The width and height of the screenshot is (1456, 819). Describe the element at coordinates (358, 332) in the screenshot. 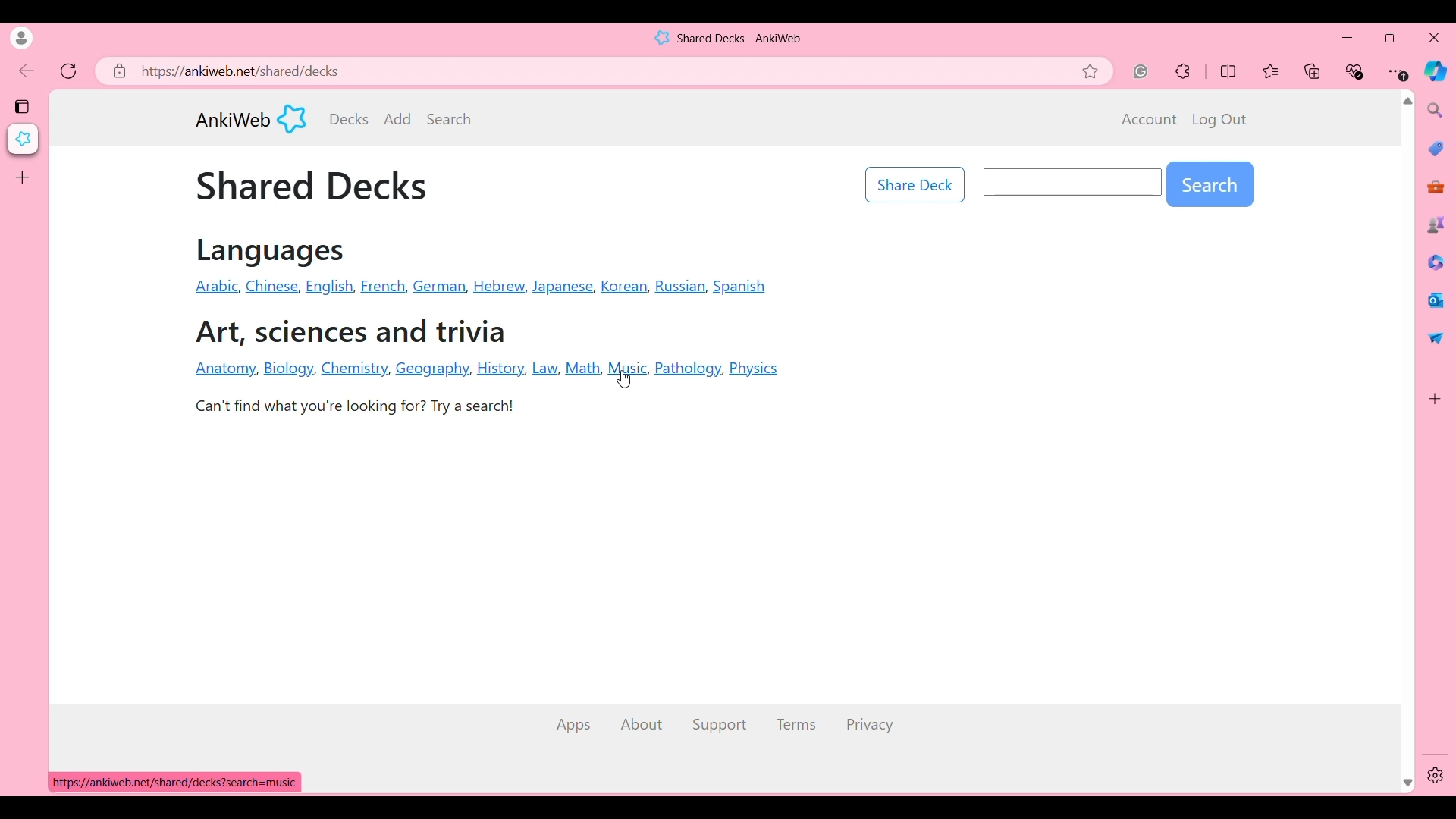

I see `Art, sciences and trivia` at that location.